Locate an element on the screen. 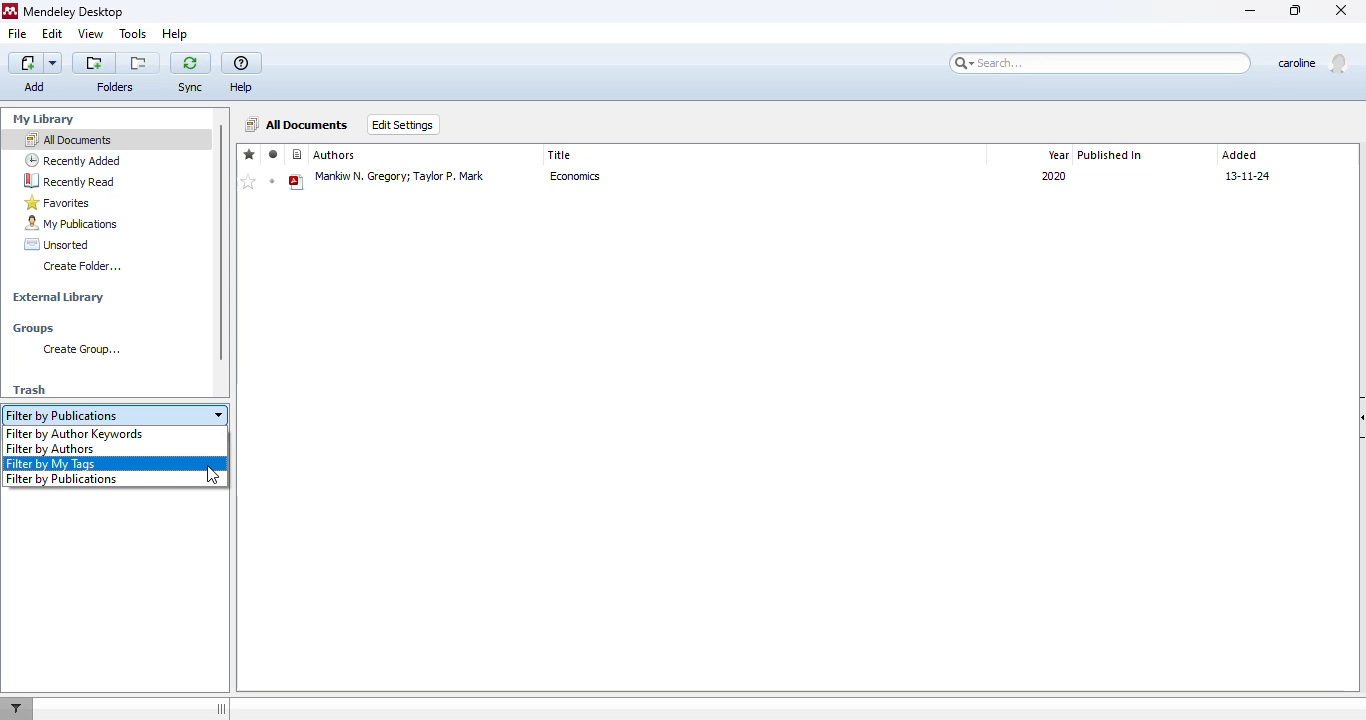  filter by publications is located at coordinates (61, 479).